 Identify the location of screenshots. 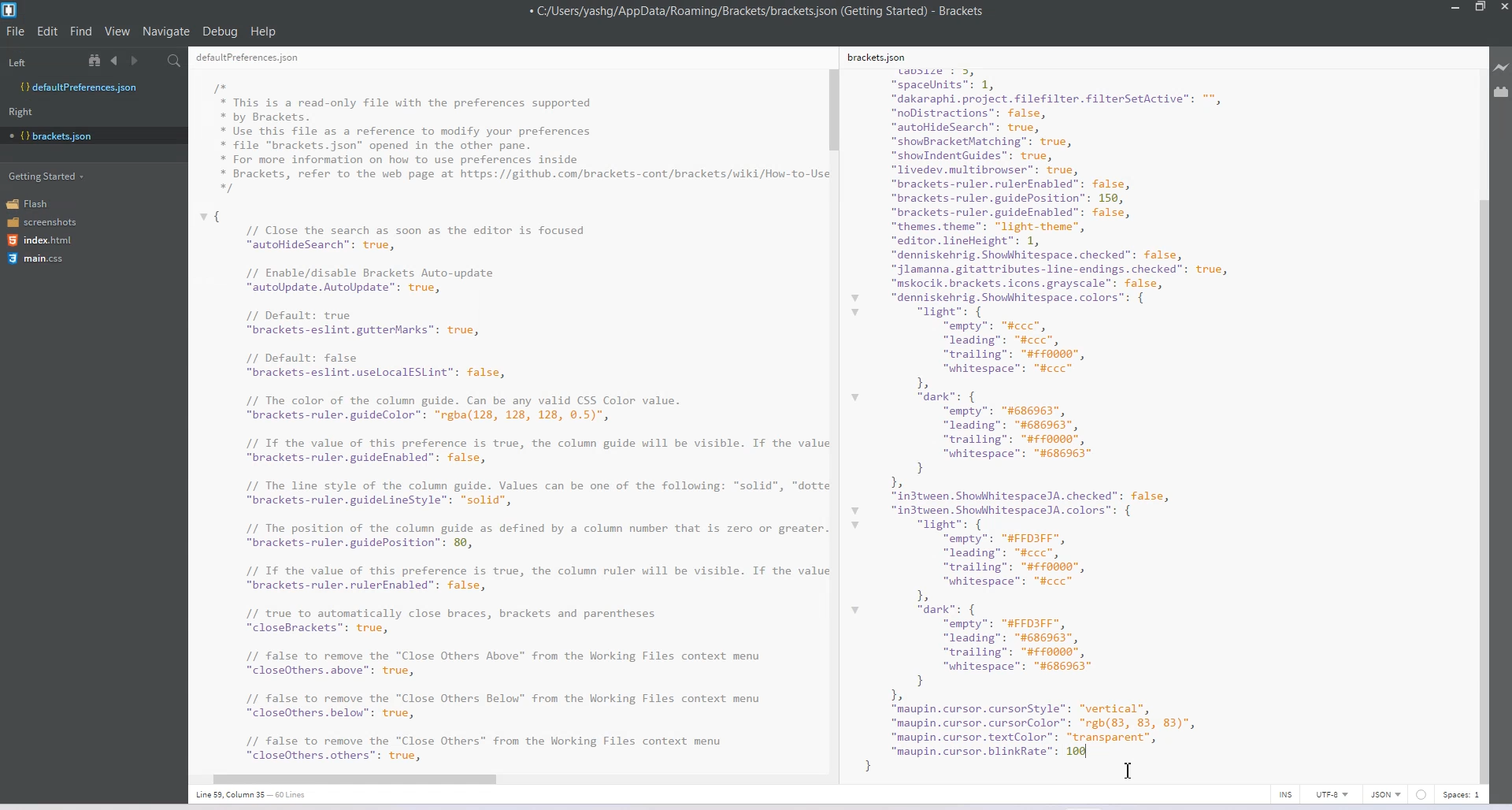
(43, 223).